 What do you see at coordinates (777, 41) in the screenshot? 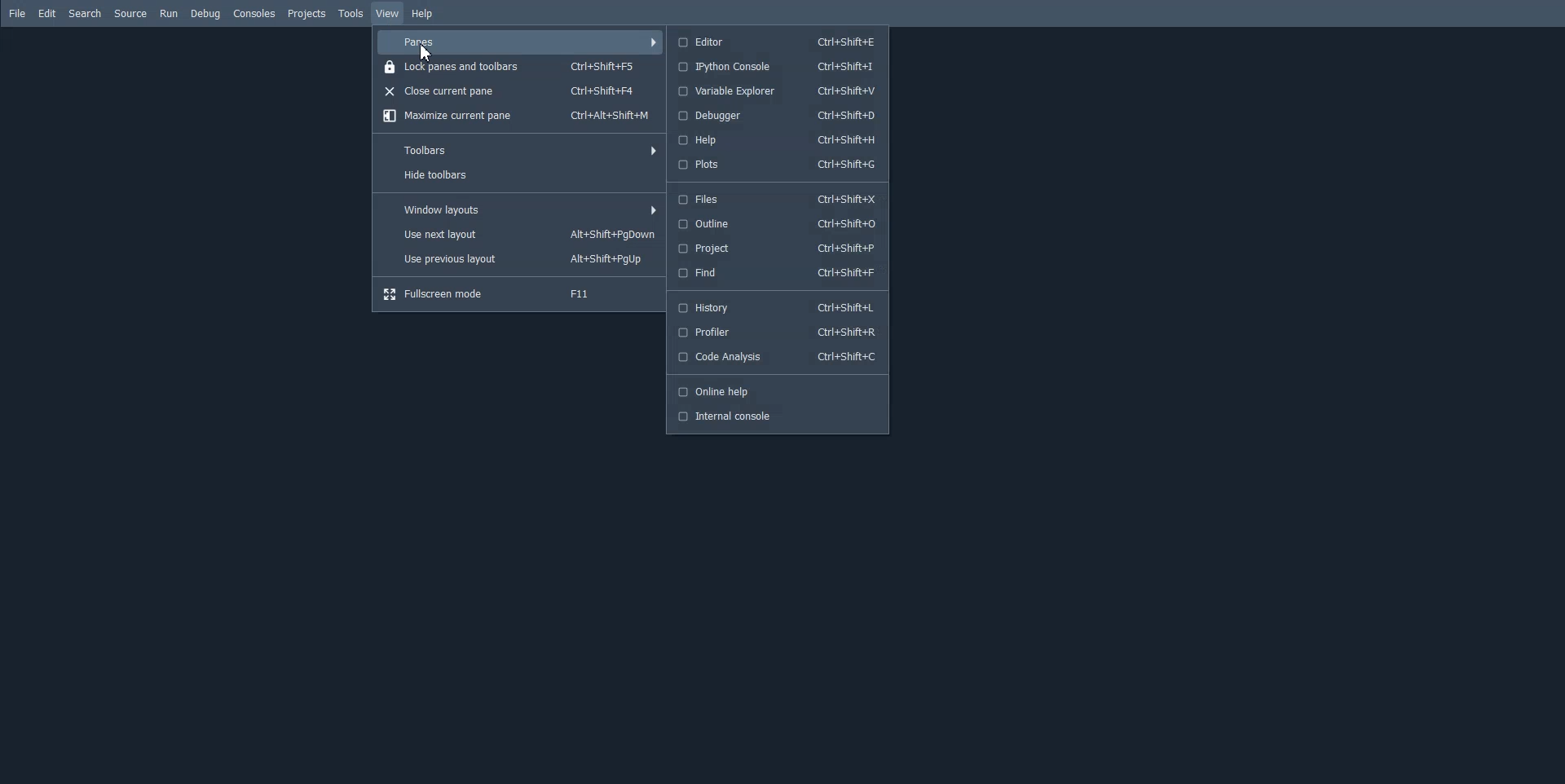
I see `Editor` at bounding box center [777, 41].